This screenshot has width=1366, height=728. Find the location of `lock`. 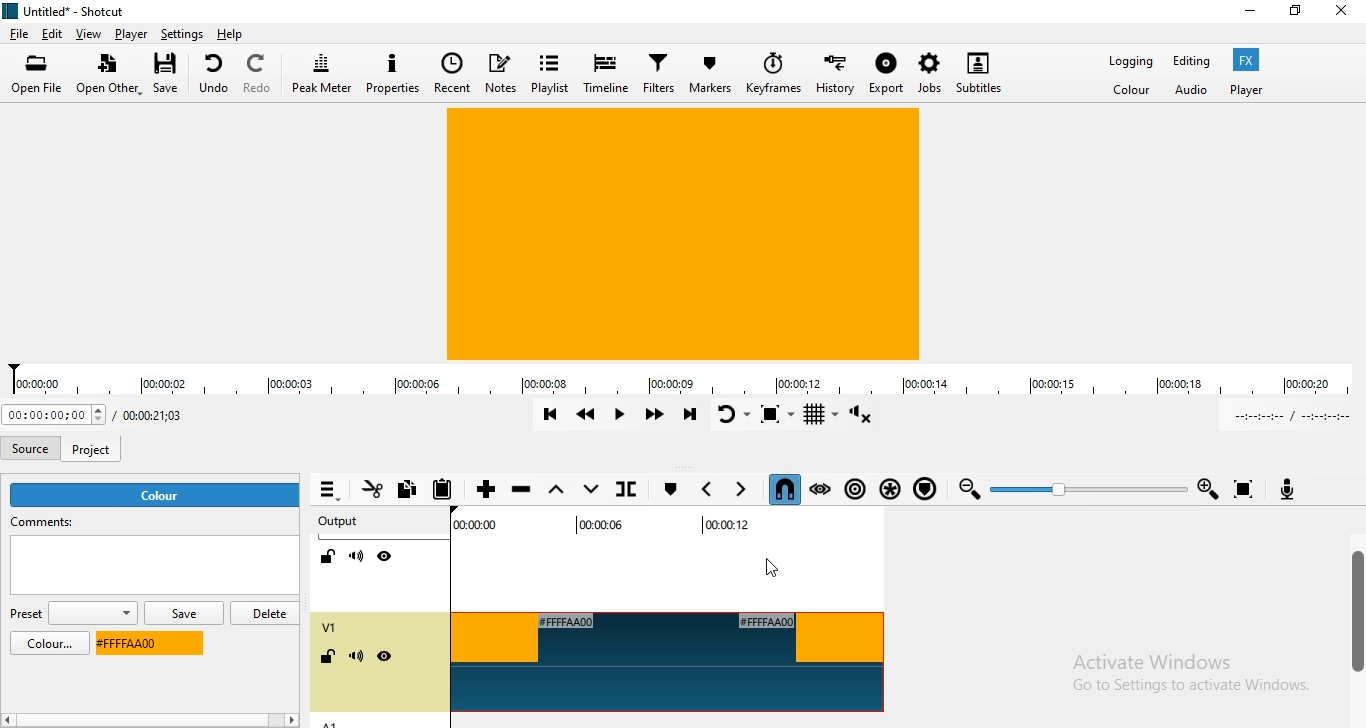

lock is located at coordinates (331, 658).